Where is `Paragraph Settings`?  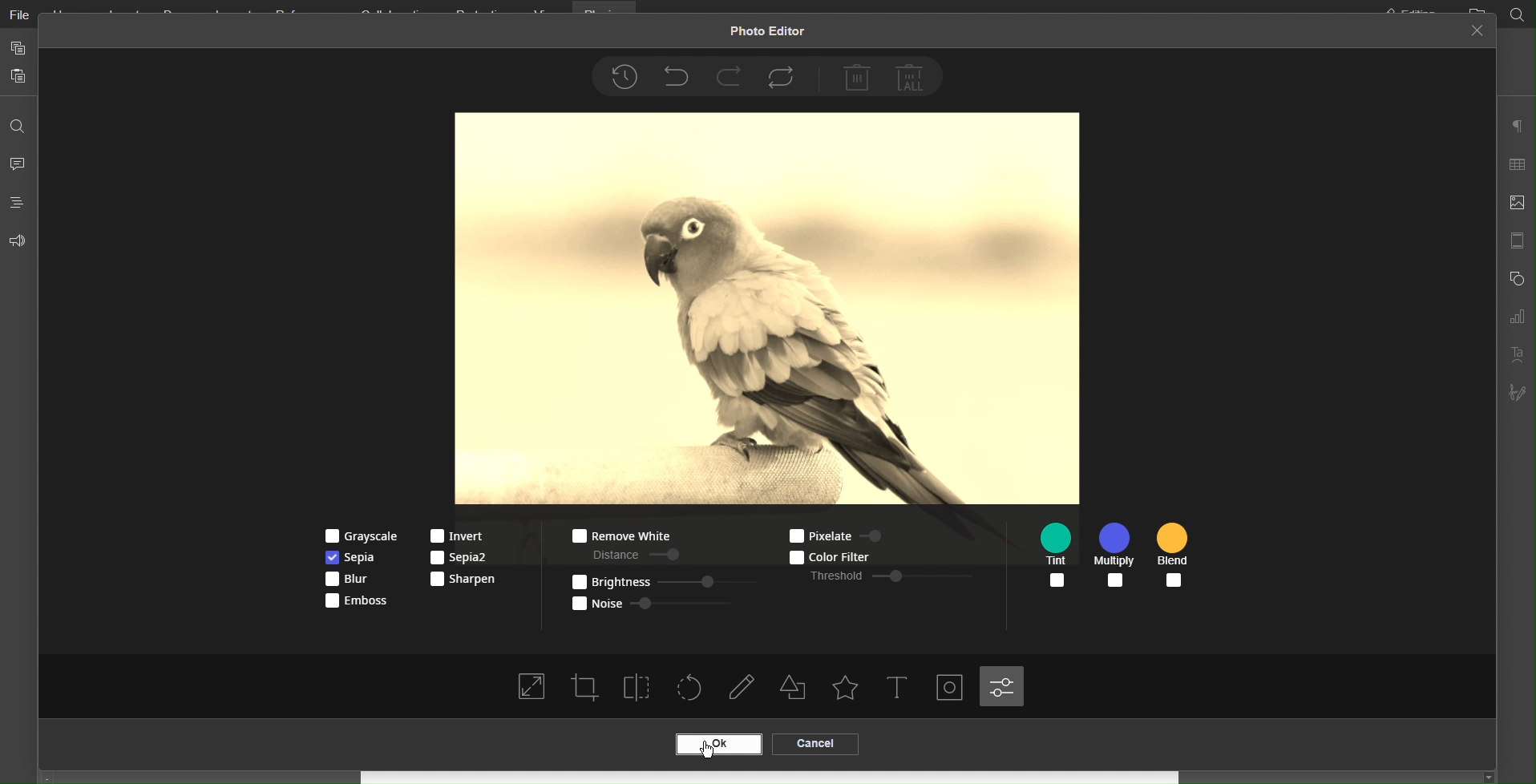 Paragraph Settings is located at coordinates (1516, 127).